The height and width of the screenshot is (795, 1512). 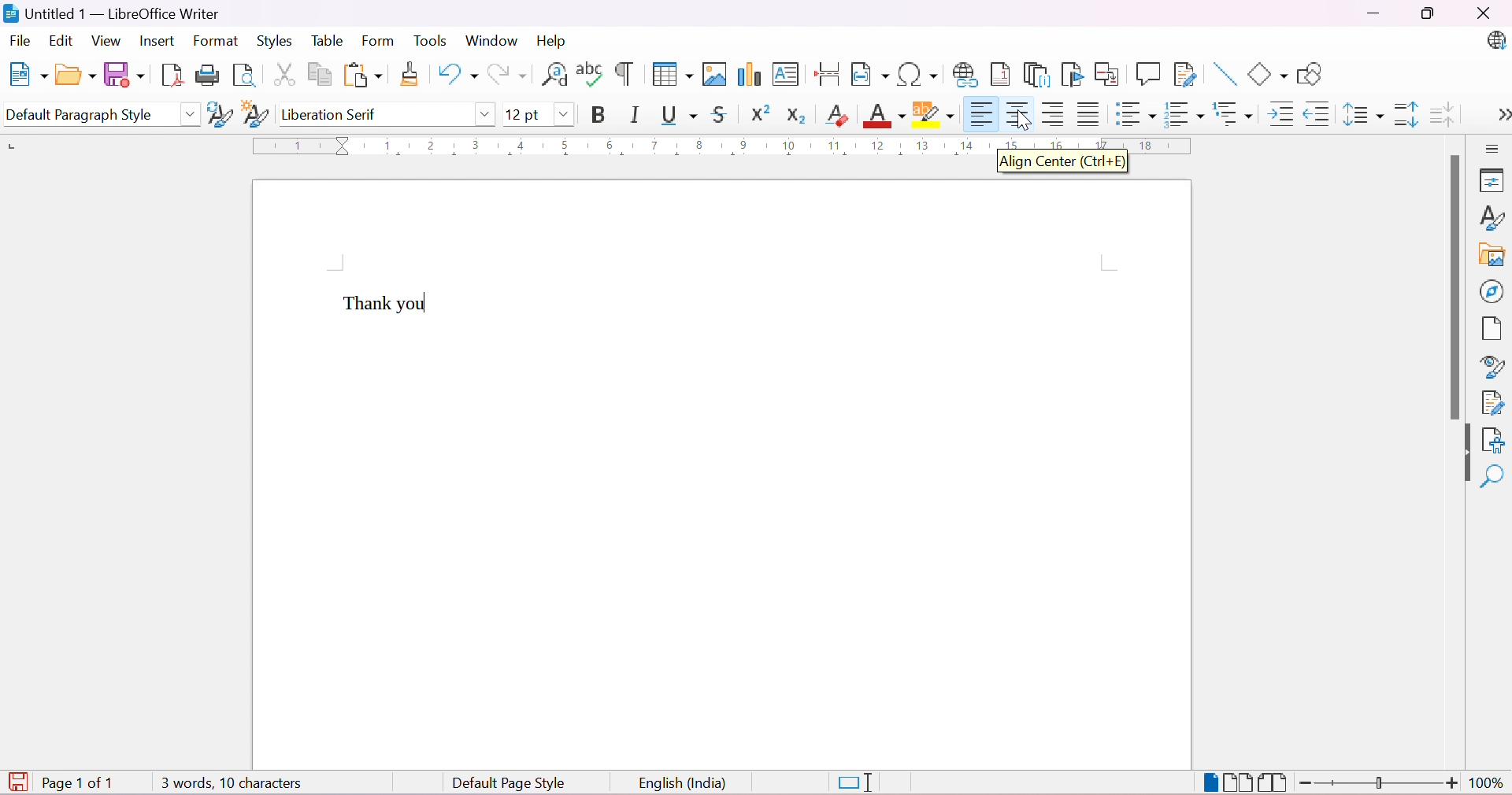 What do you see at coordinates (409, 75) in the screenshot?
I see `Clone Formatting` at bounding box center [409, 75].